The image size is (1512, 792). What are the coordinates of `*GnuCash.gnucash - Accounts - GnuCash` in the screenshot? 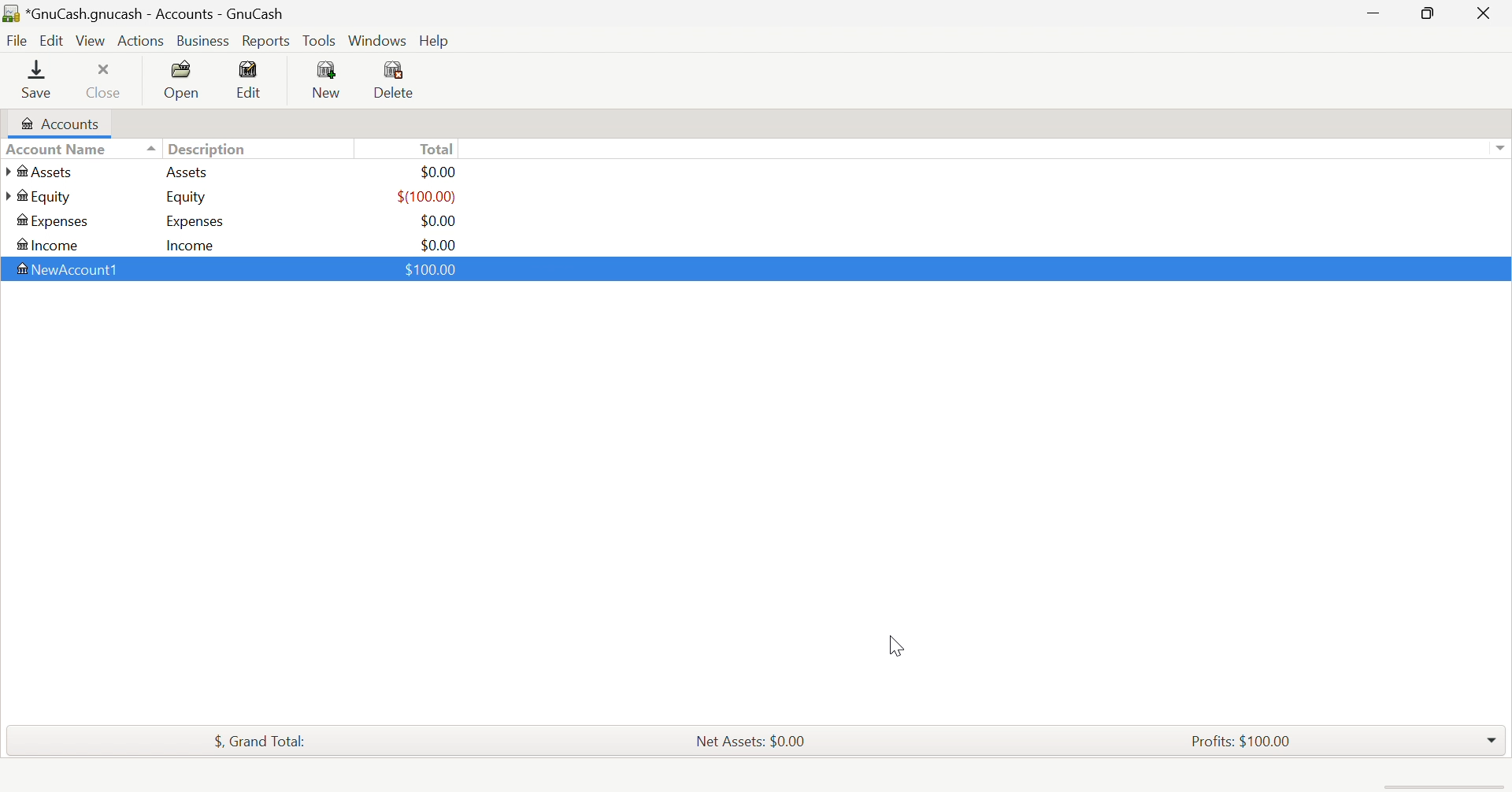 It's located at (145, 13).